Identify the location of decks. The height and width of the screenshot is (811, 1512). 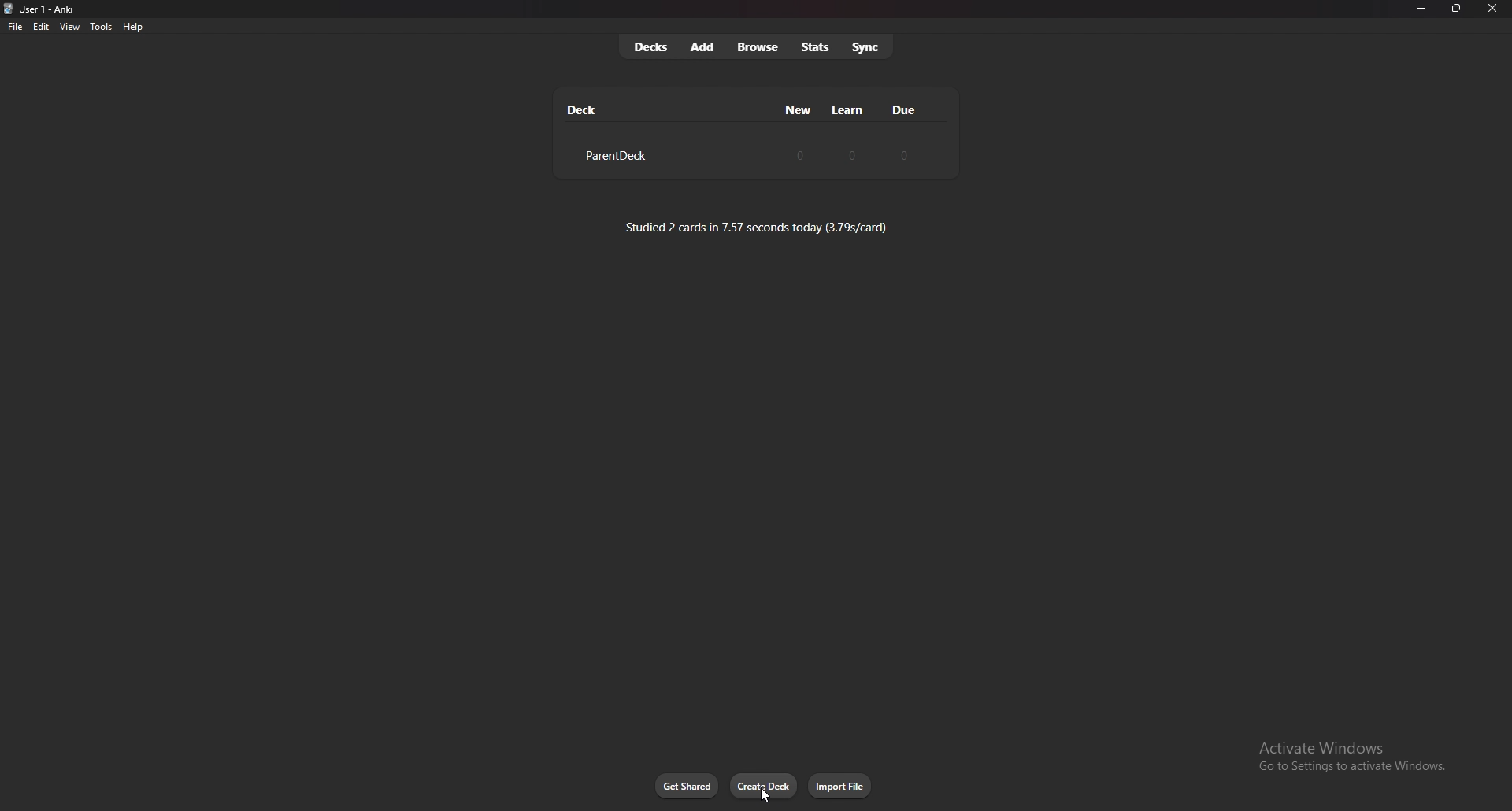
(650, 47).